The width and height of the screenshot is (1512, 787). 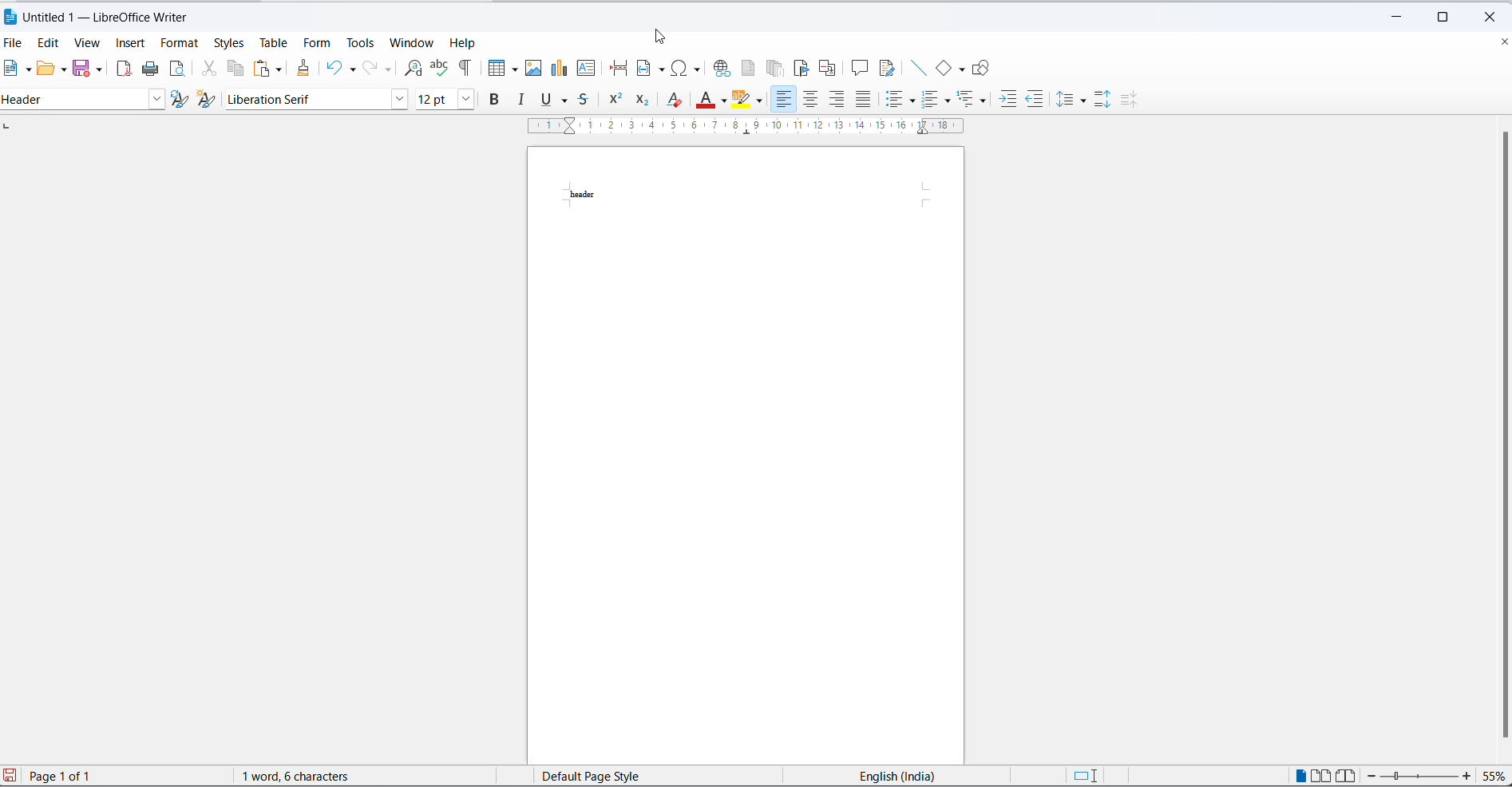 What do you see at coordinates (832, 68) in the screenshot?
I see `insert cross-reference` at bounding box center [832, 68].